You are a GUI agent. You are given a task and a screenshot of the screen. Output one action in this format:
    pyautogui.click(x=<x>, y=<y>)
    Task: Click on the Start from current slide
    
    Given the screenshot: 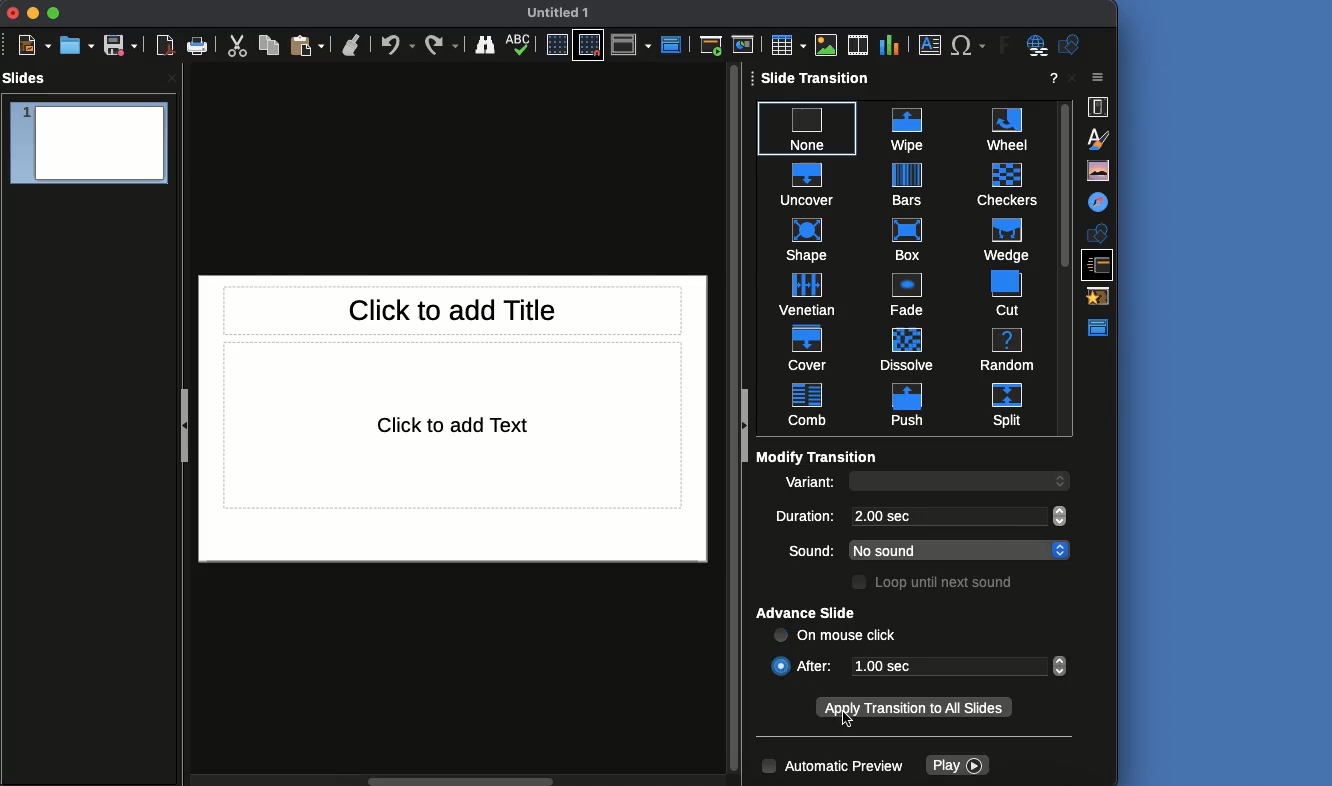 What is the action you would take?
    pyautogui.click(x=743, y=44)
    